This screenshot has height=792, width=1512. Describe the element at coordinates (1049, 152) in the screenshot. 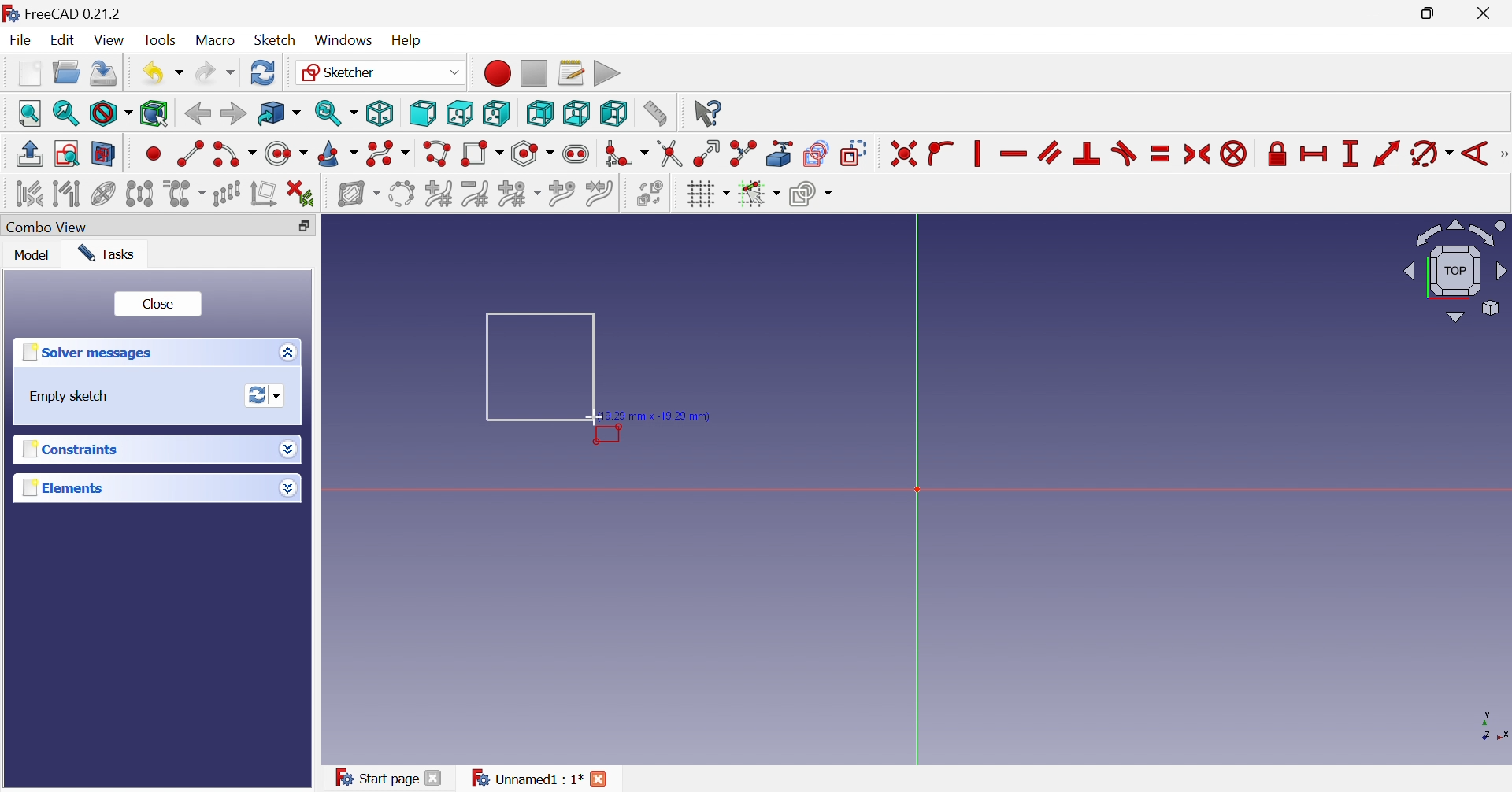

I see `Constrain parallel` at that location.